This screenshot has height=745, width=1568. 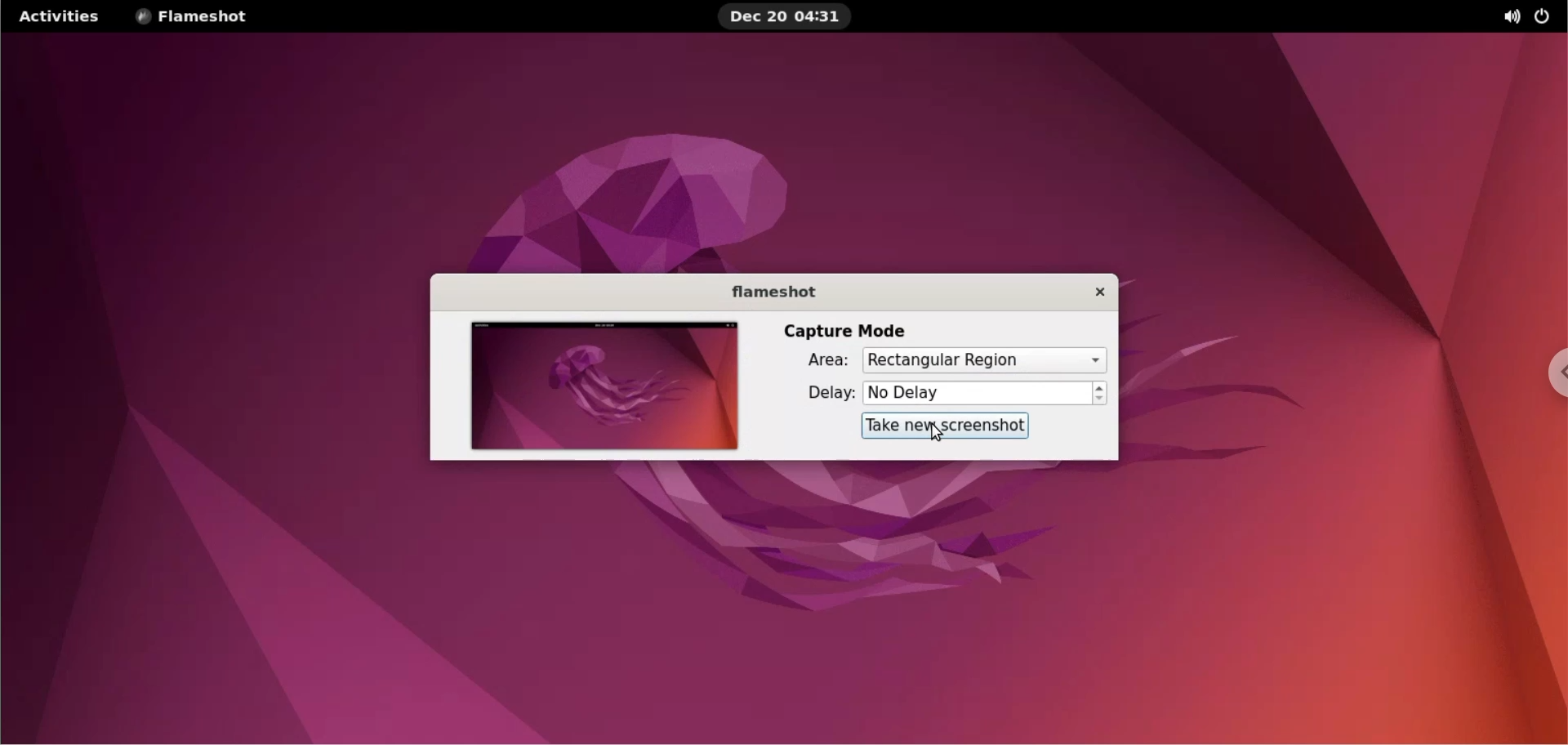 What do you see at coordinates (1548, 15) in the screenshot?
I see `power setting options` at bounding box center [1548, 15].